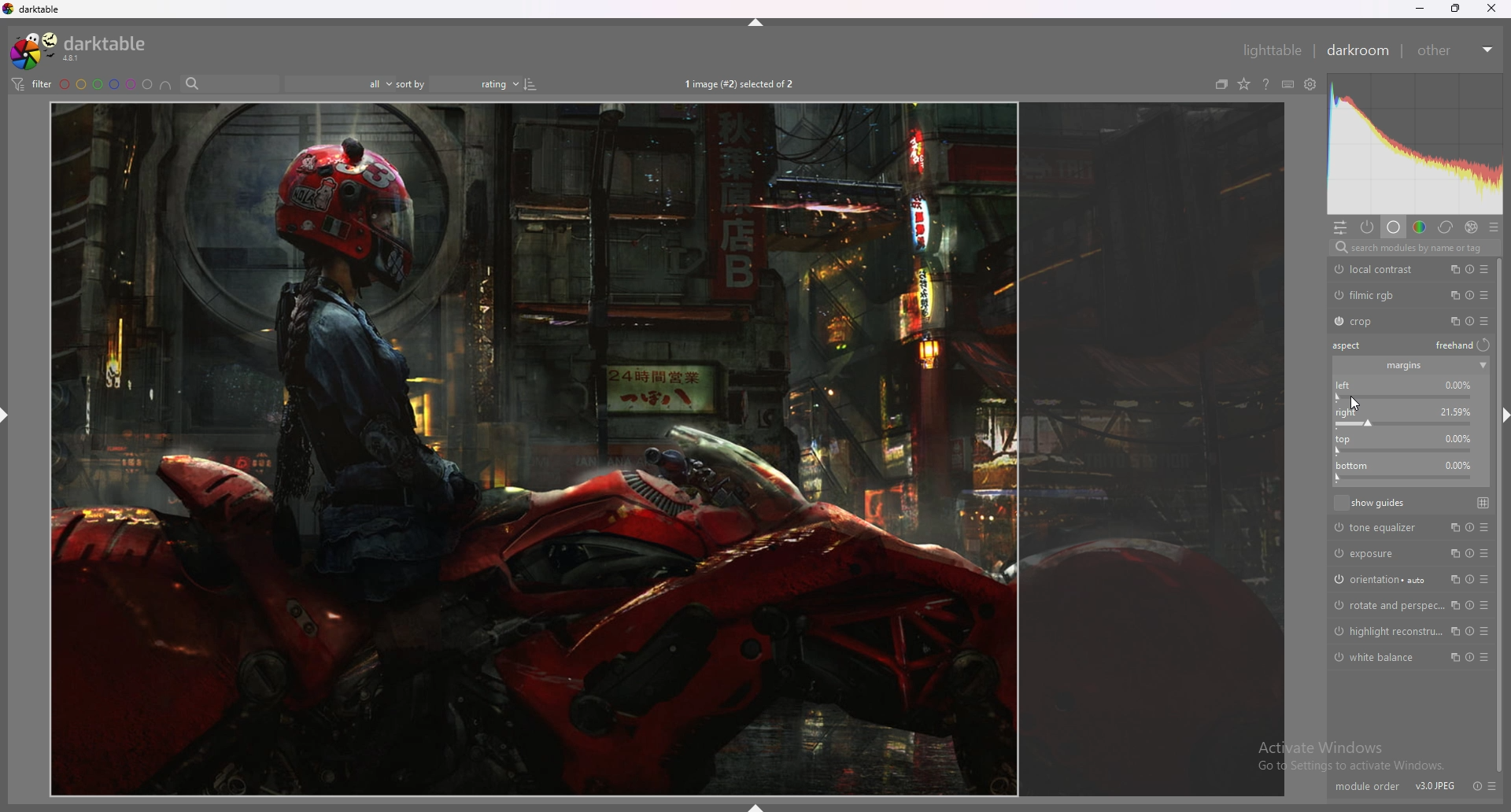 This screenshot has width=1511, height=812. I want to click on white balance, so click(1380, 657).